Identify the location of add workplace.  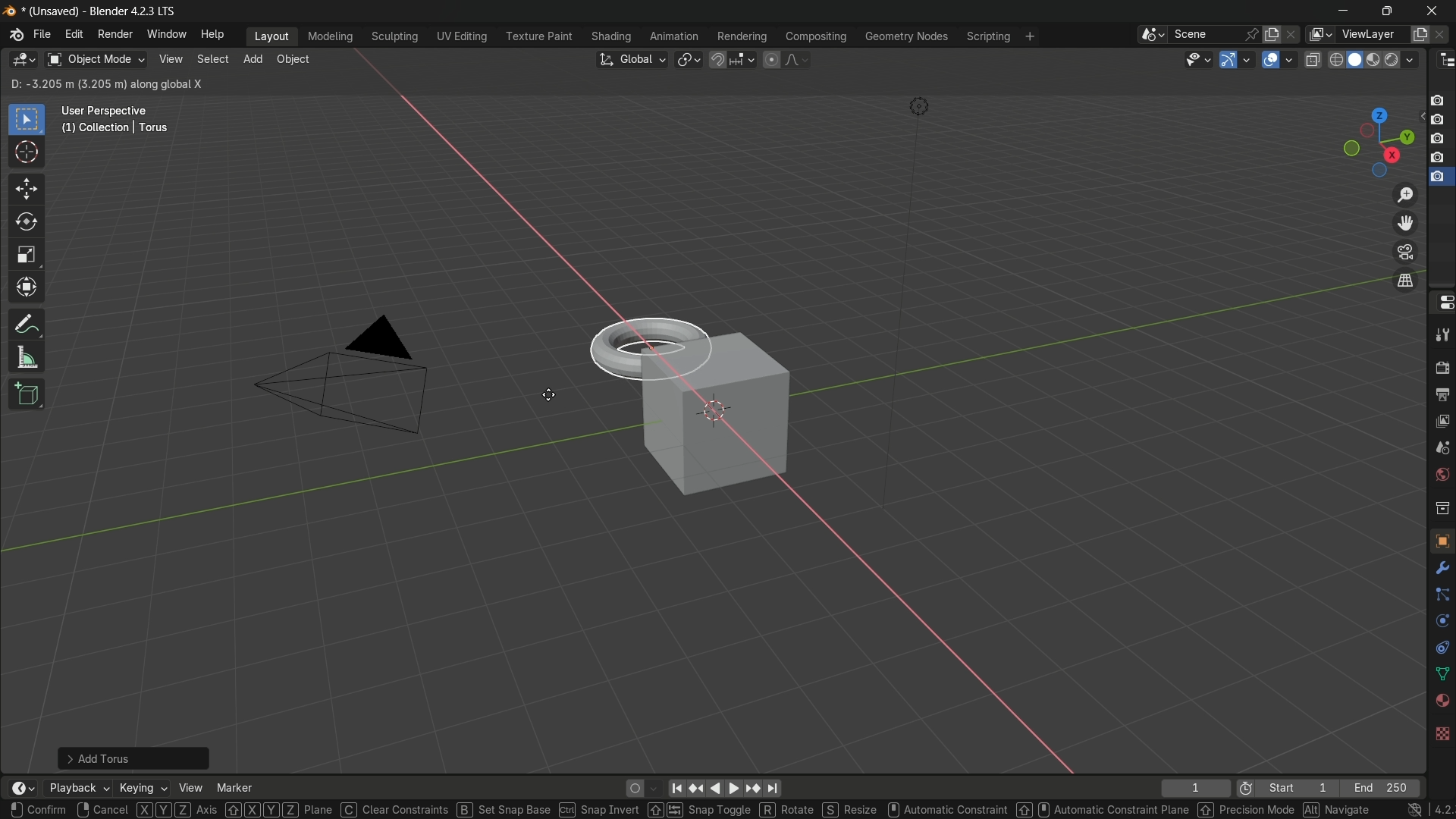
(1030, 36).